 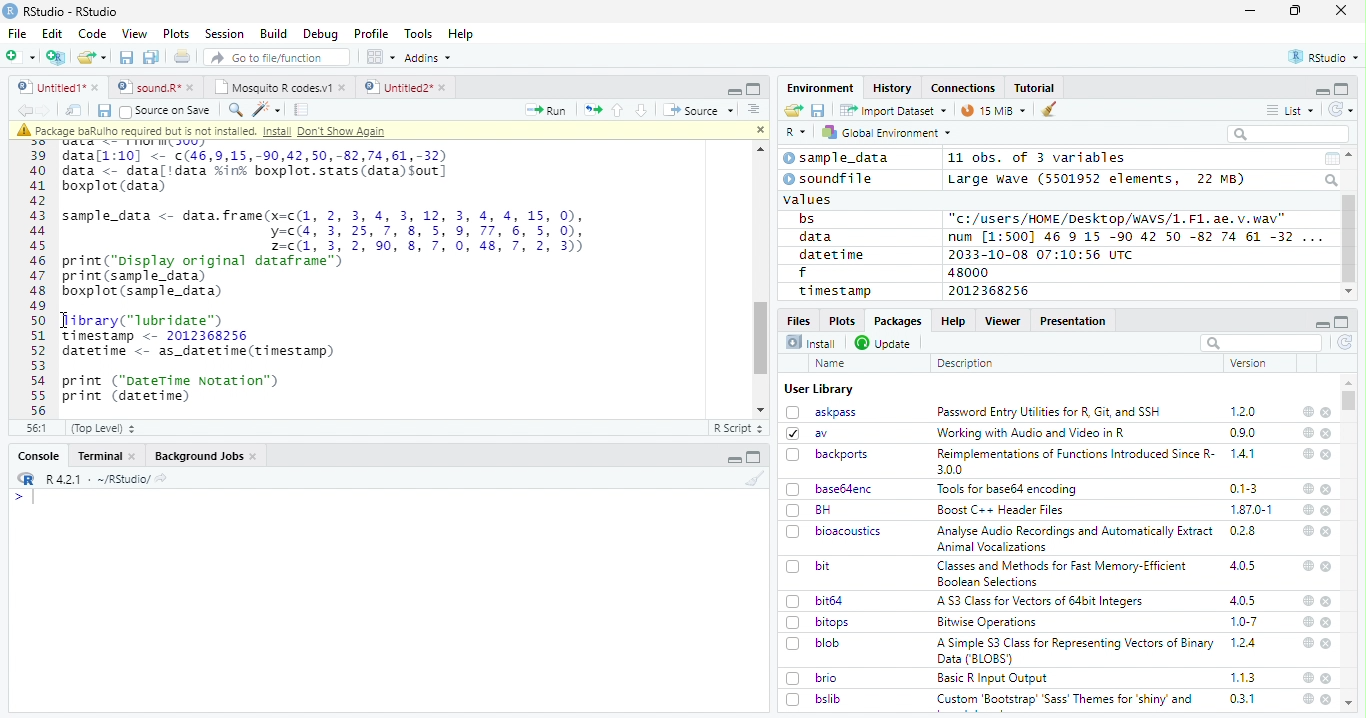 What do you see at coordinates (830, 488) in the screenshot?
I see `base64enc` at bounding box center [830, 488].